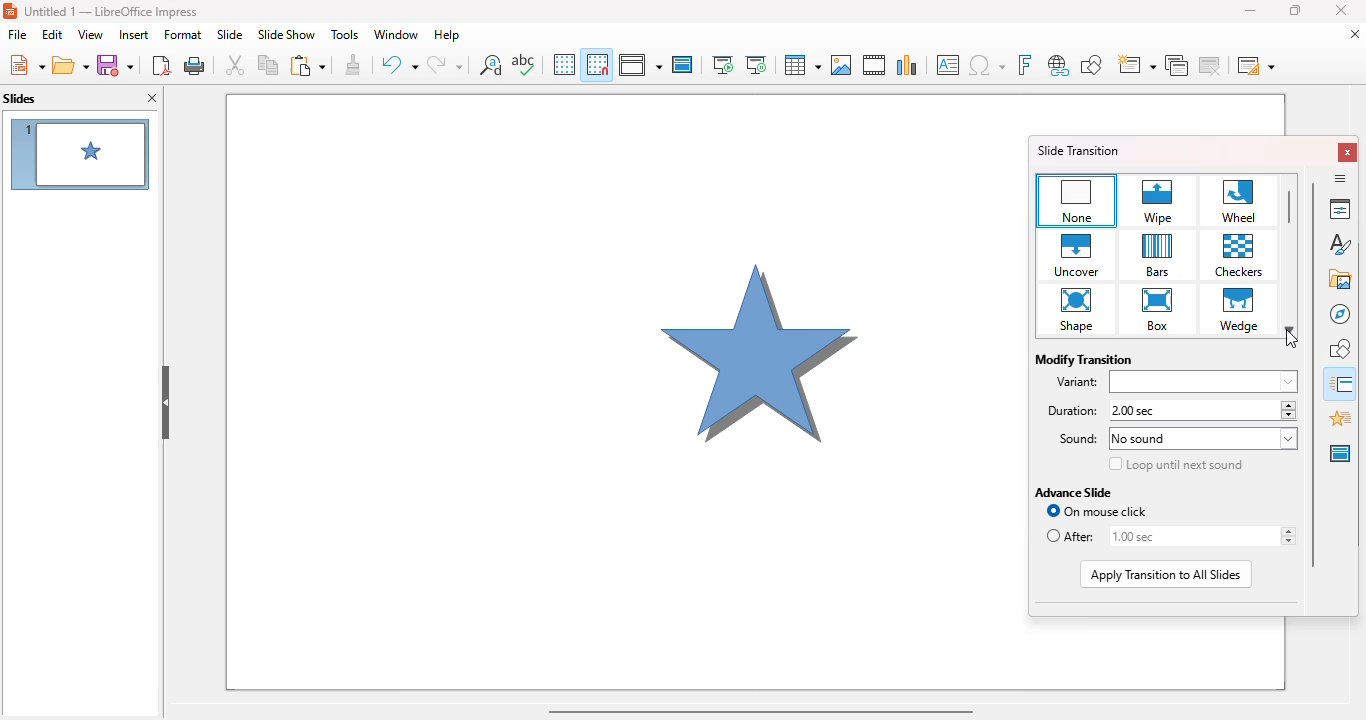 The width and height of the screenshot is (1366, 720). What do you see at coordinates (1211, 65) in the screenshot?
I see `delete slide` at bounding box center [1211, 65].